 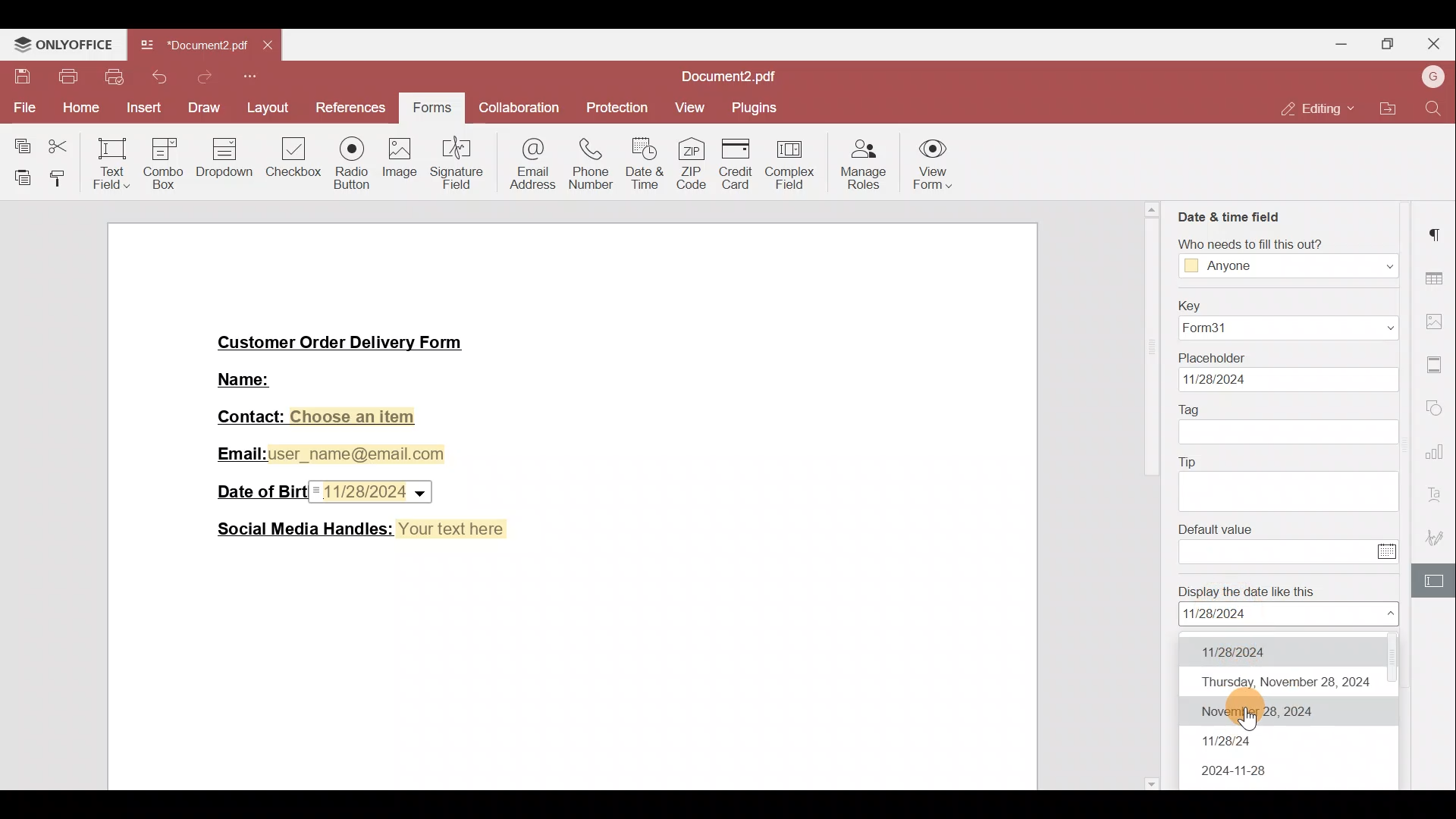 I want to click on Email:user_name@email.com, so click(x=327, y=454).